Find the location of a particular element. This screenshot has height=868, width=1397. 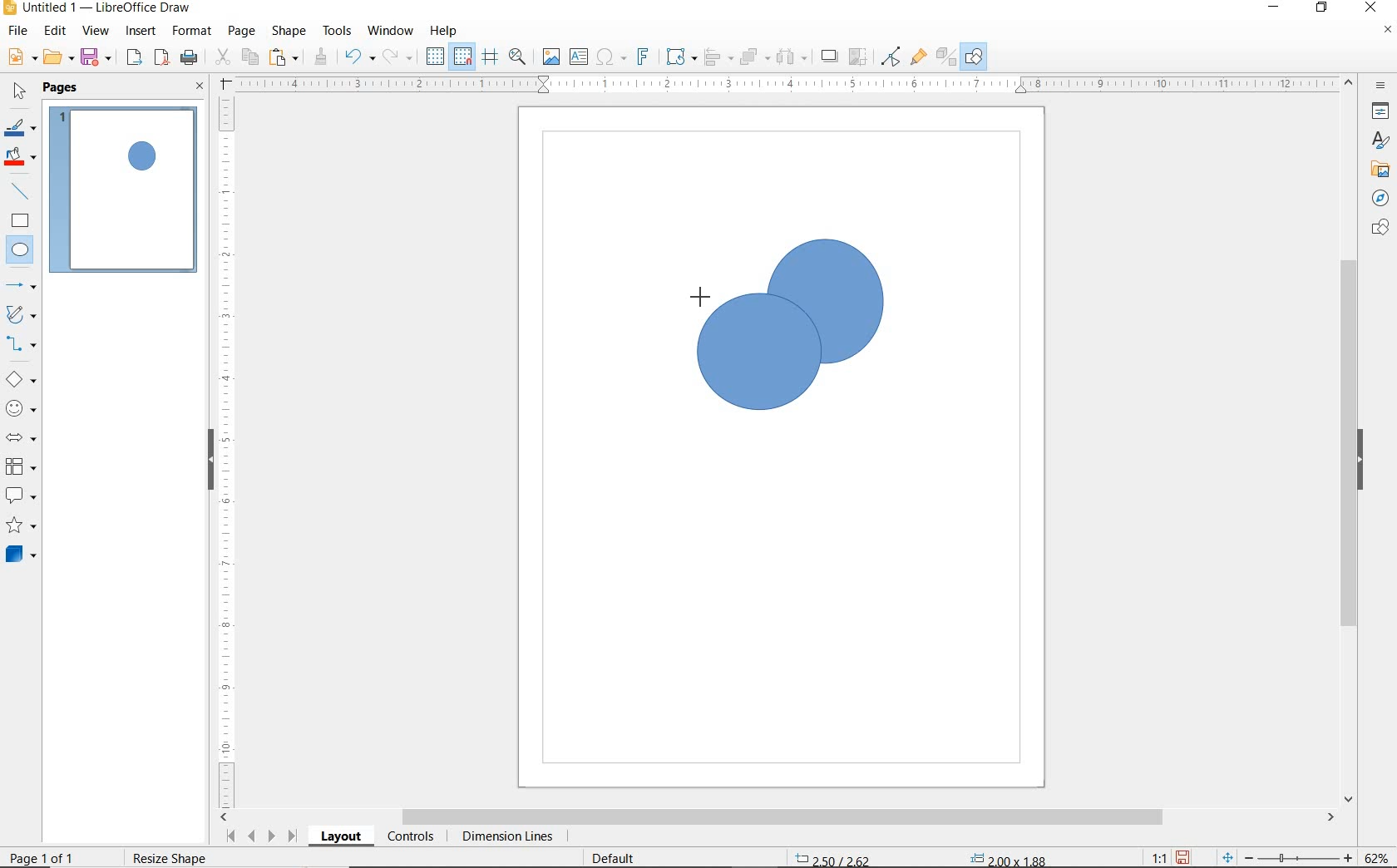

GALLERY is located at coordinates (1378, 170).